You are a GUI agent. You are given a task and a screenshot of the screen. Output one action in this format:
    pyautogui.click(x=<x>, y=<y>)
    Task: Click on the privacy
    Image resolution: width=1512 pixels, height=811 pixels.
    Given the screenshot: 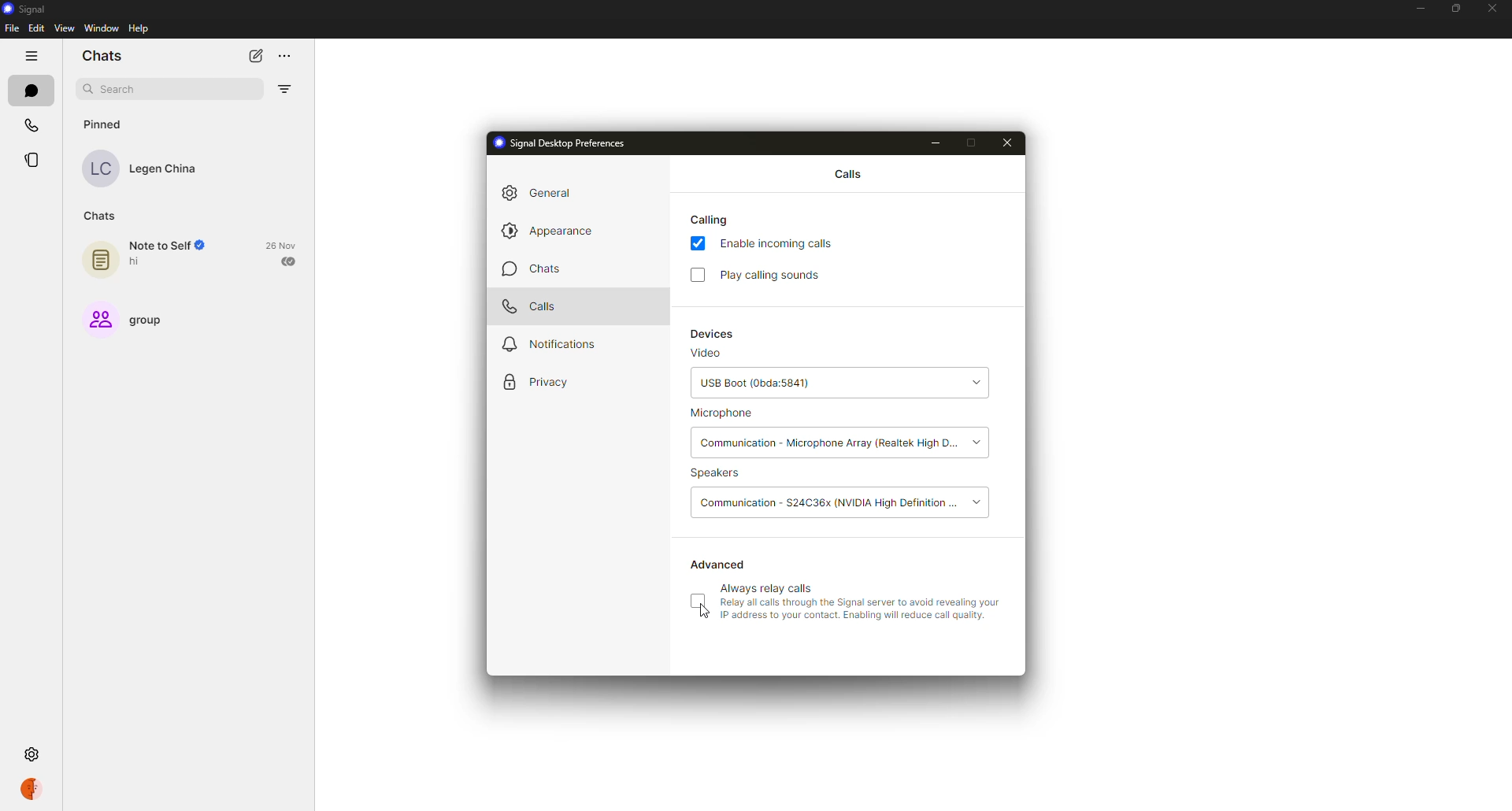 What is the action you would take?
    pyautogui.click(x=535, y=383)
    